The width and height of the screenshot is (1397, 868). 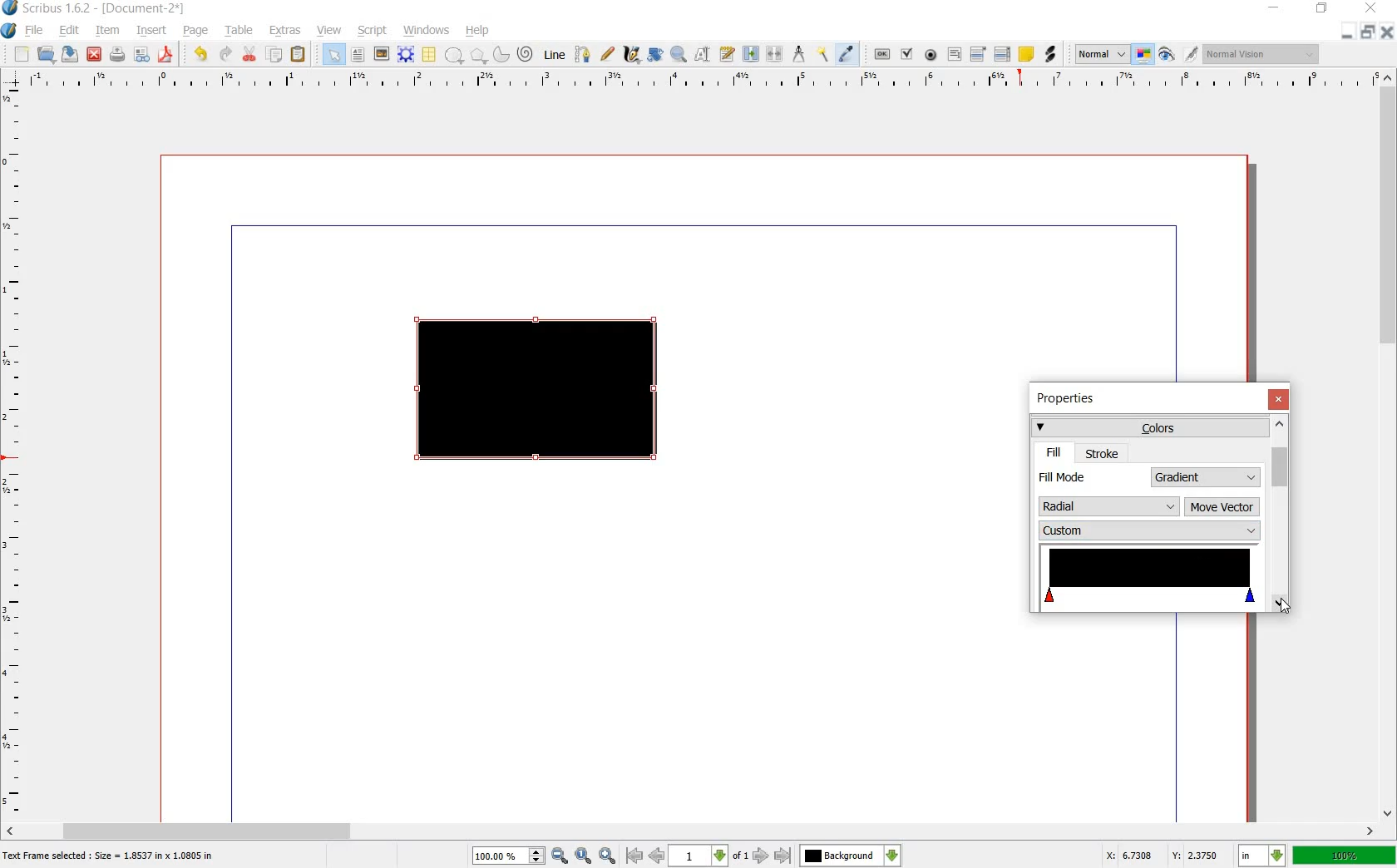 What do you see at coordinates (847, 55) in the screenshot?
I see `eye dropper` at bounding box center [847, 55].